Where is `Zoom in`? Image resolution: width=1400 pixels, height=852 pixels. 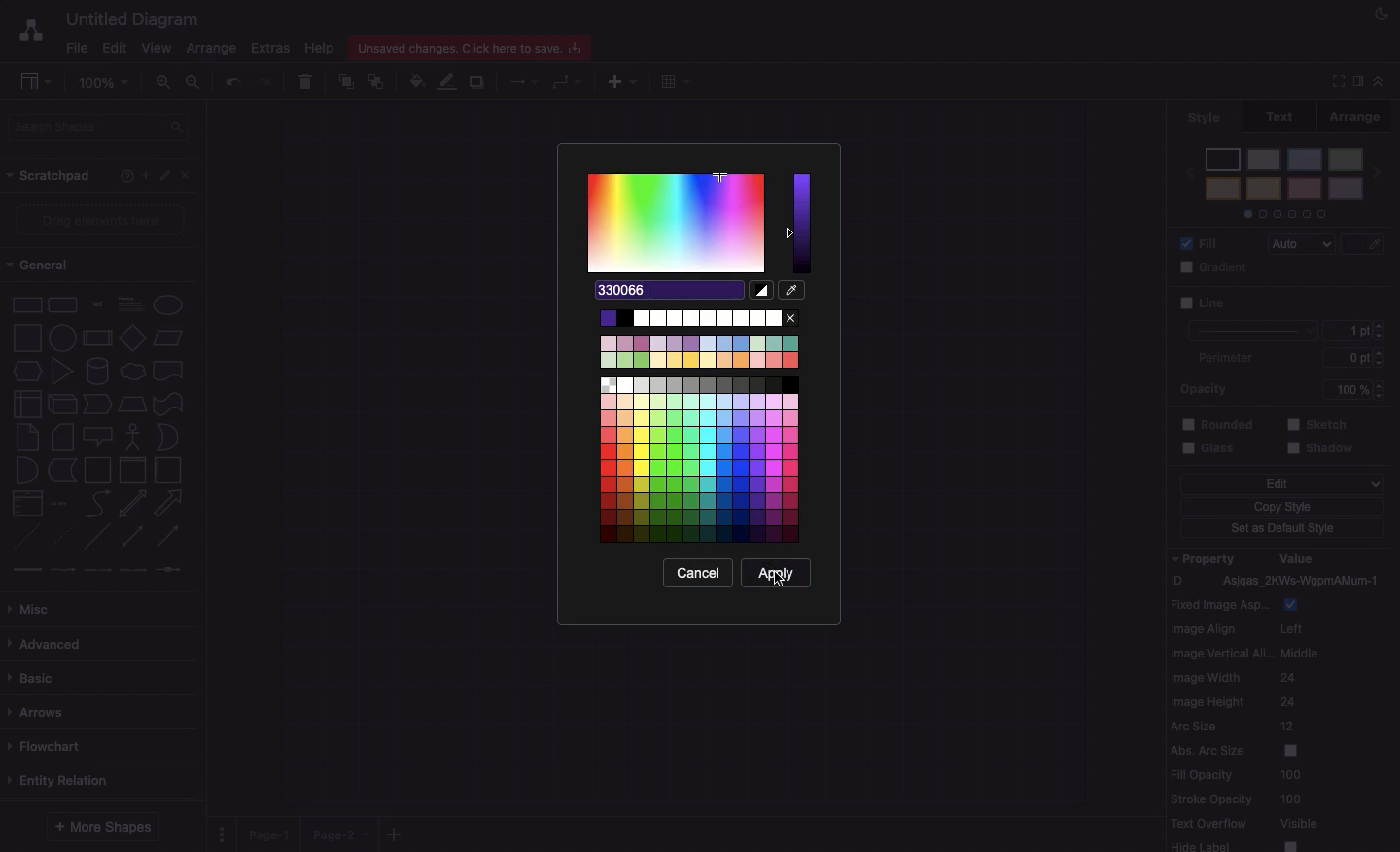
Zoom in is located at coordinates (166, 86).